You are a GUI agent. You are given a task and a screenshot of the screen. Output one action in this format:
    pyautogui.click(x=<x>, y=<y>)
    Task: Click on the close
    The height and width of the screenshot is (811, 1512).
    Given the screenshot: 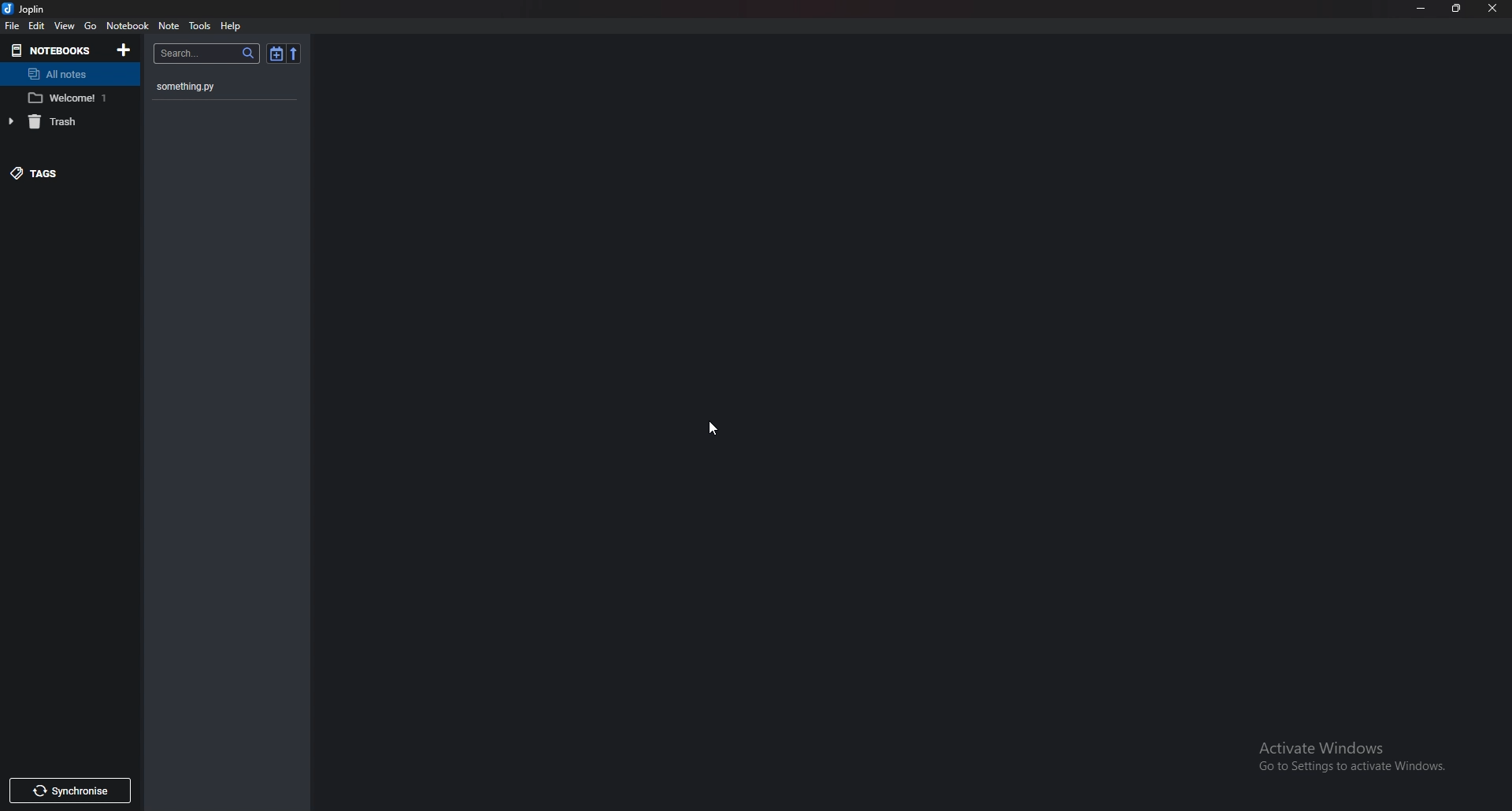 What is the action you would take?
    pyautogui.click(x=1492, y=9)
    